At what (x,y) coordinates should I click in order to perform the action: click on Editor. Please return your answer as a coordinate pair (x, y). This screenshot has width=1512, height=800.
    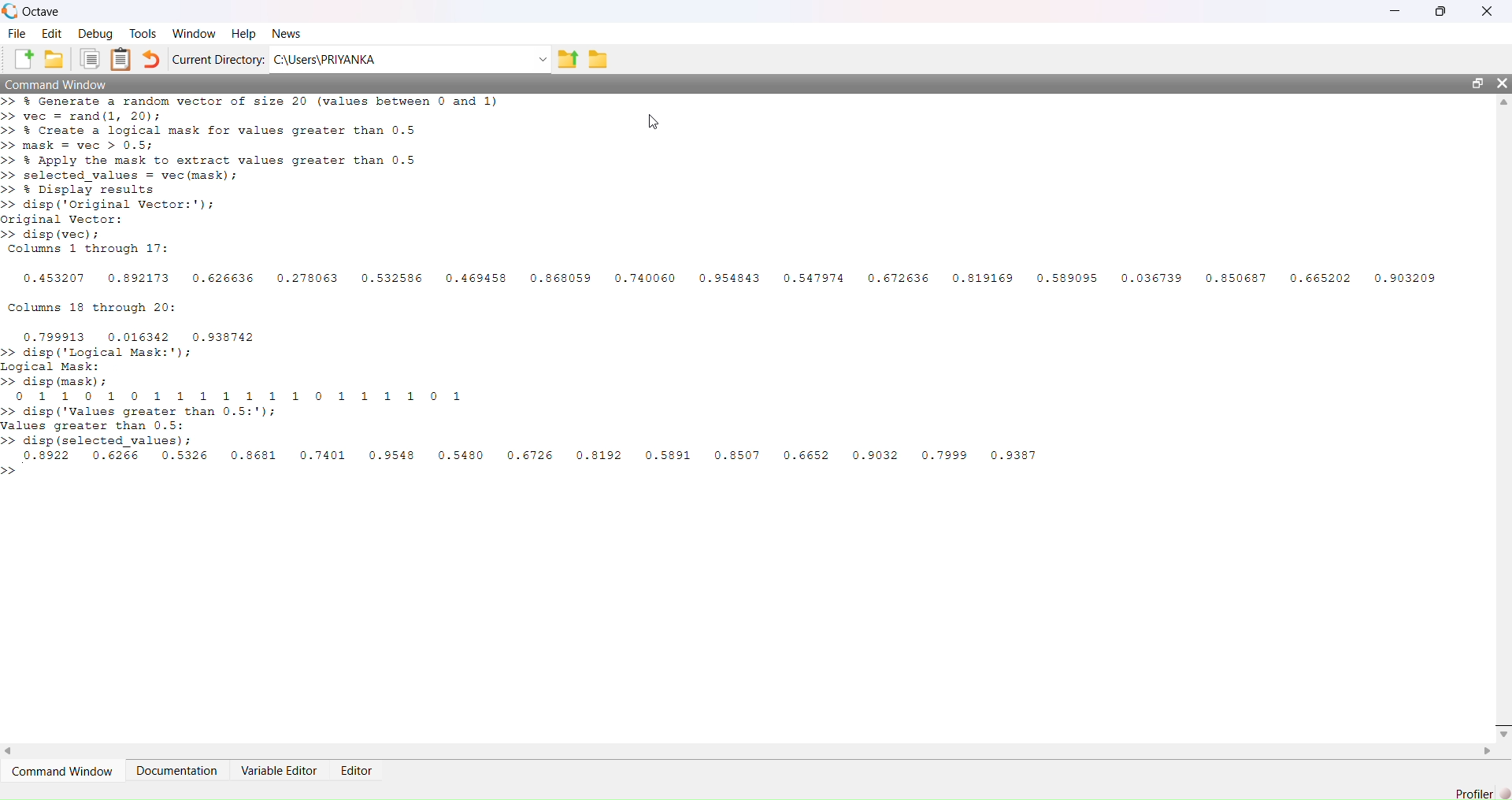
    Looking at the image, I should click on (362, 770).